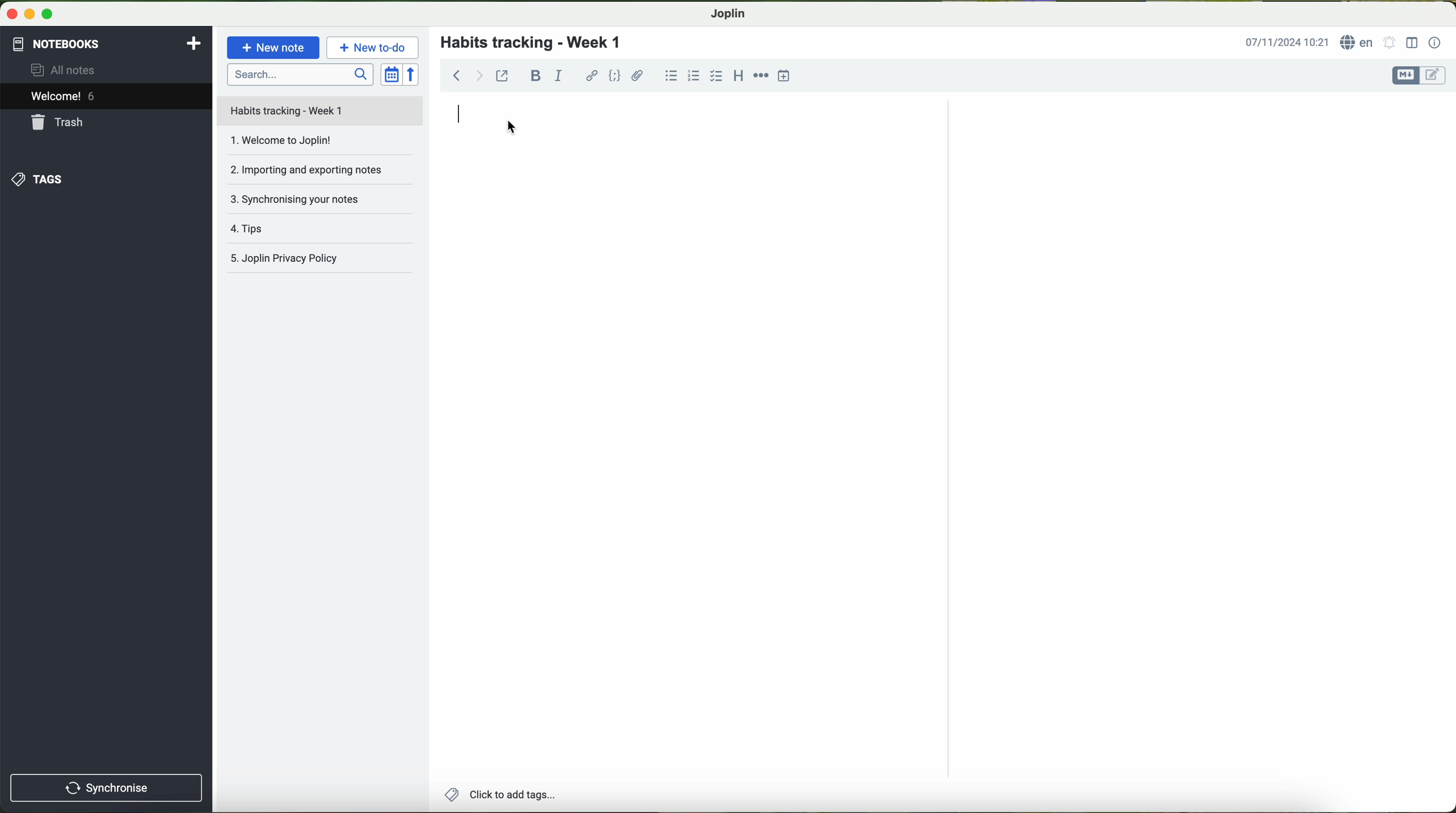 The width and height of the screenshot is (1456, 813). Describe the element at coordinates (592, 76) in the screenshot. I see `hyperlink` at that location.